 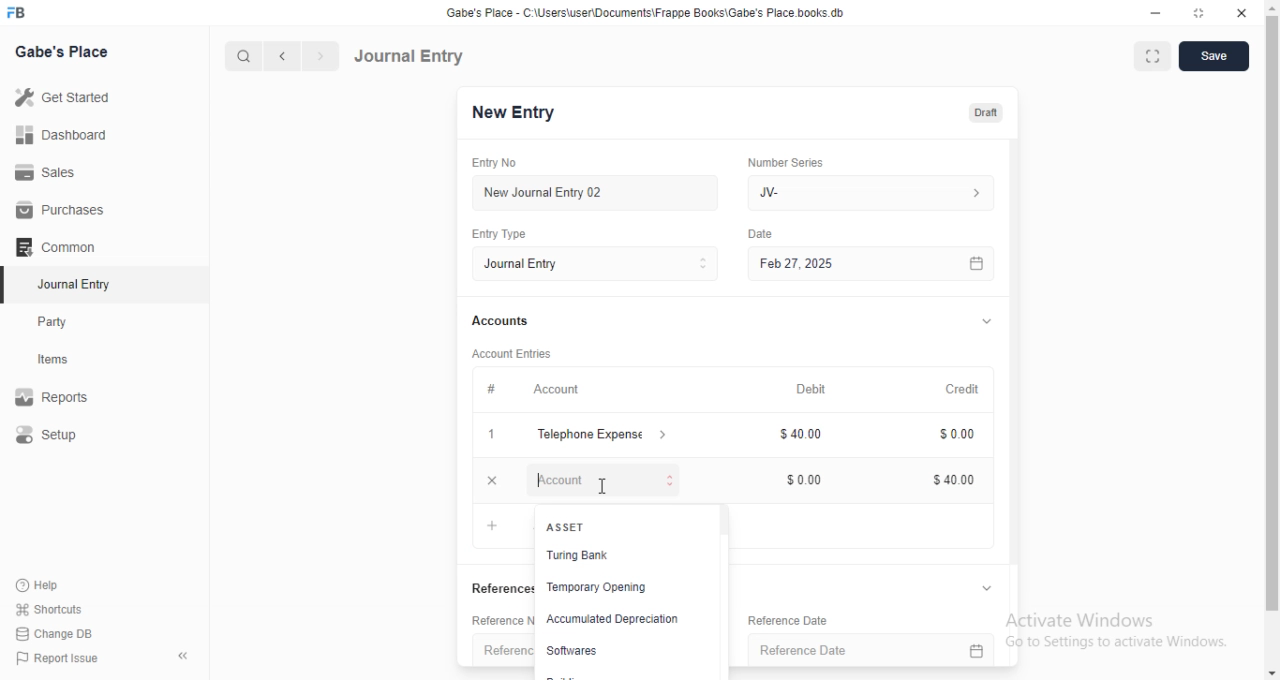 What do you see at coordinates (565, 390) in the screenshot?
I see `Account` at bounding box center [565, 390].